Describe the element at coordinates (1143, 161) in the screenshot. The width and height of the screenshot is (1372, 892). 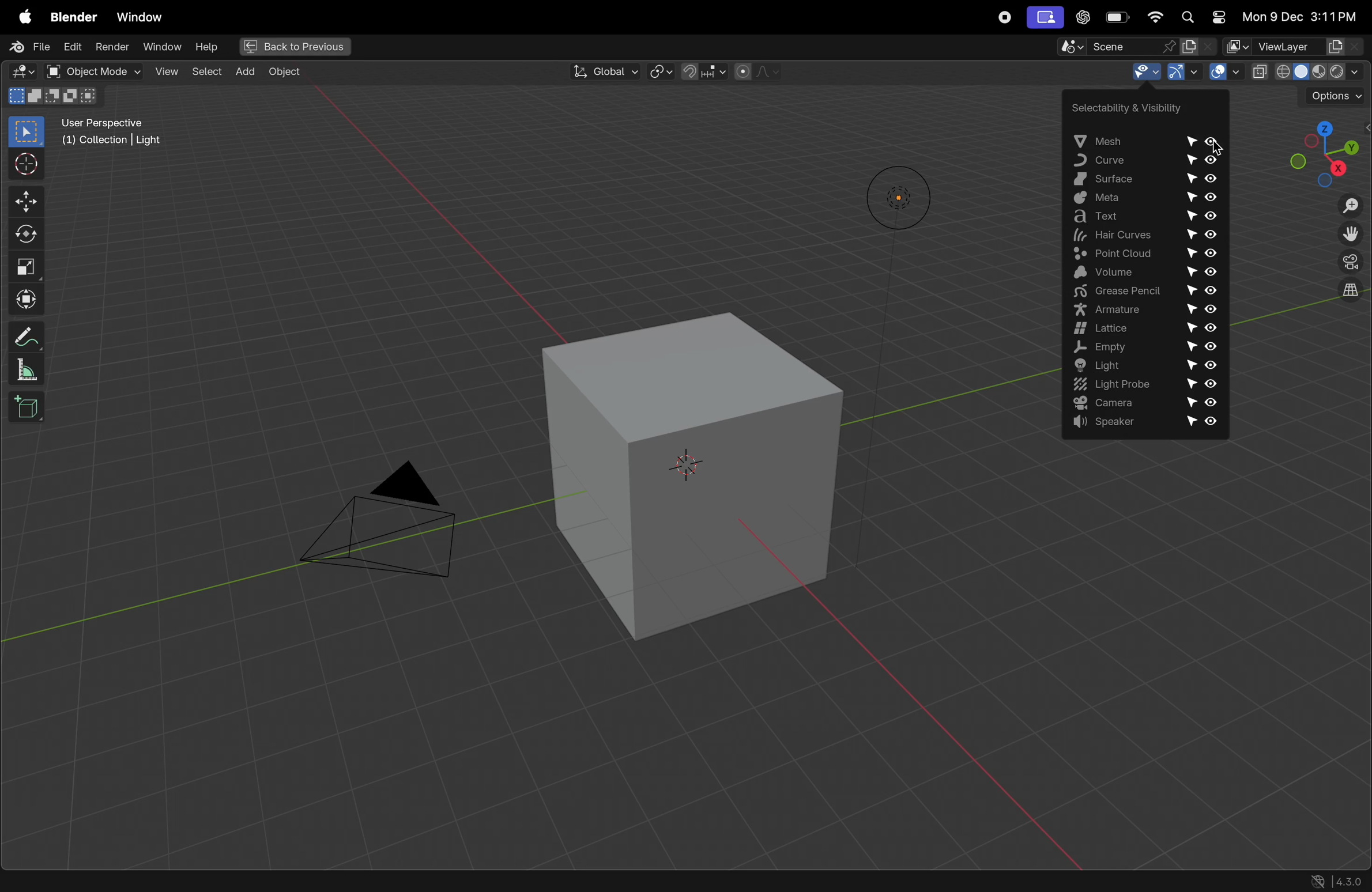
I see `curve` at that location.